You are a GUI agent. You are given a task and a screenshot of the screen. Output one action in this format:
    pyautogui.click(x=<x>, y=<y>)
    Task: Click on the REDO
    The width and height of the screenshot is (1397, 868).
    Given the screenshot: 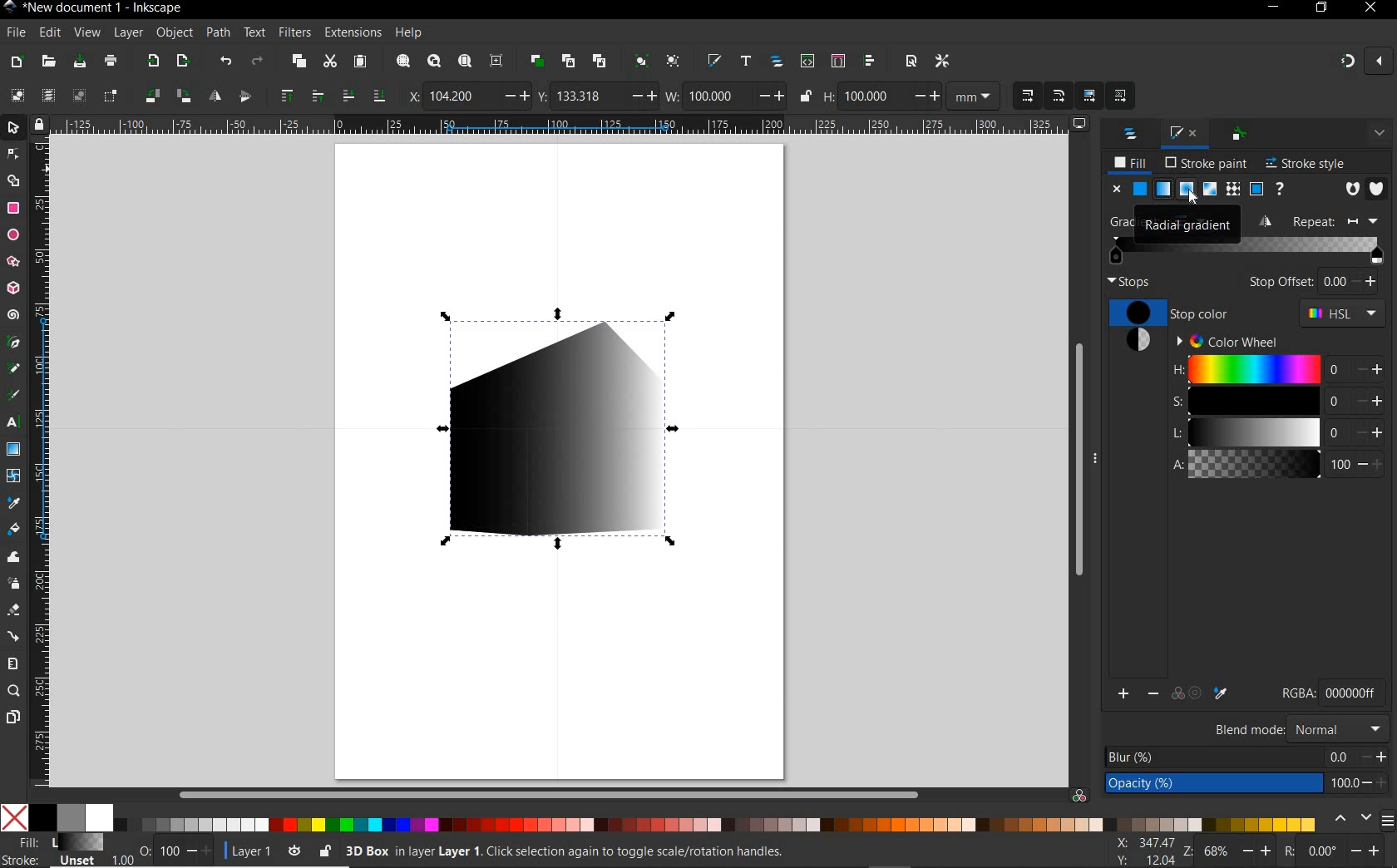 What is the action you would take?
    pyautogui.click(x=258, y=63)
    